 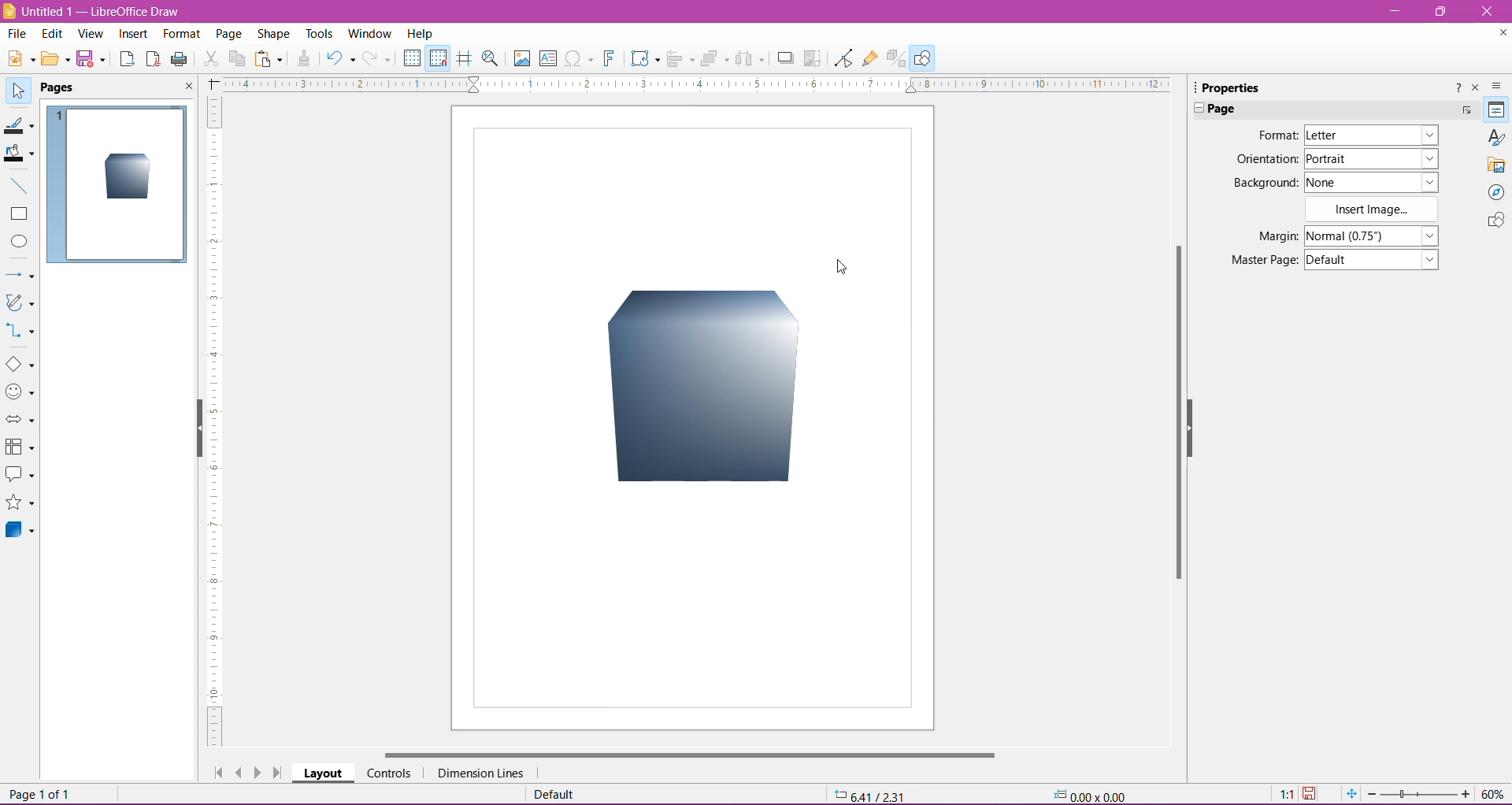 I want to click on Sidebar settings, so click(x=1499, y=86).